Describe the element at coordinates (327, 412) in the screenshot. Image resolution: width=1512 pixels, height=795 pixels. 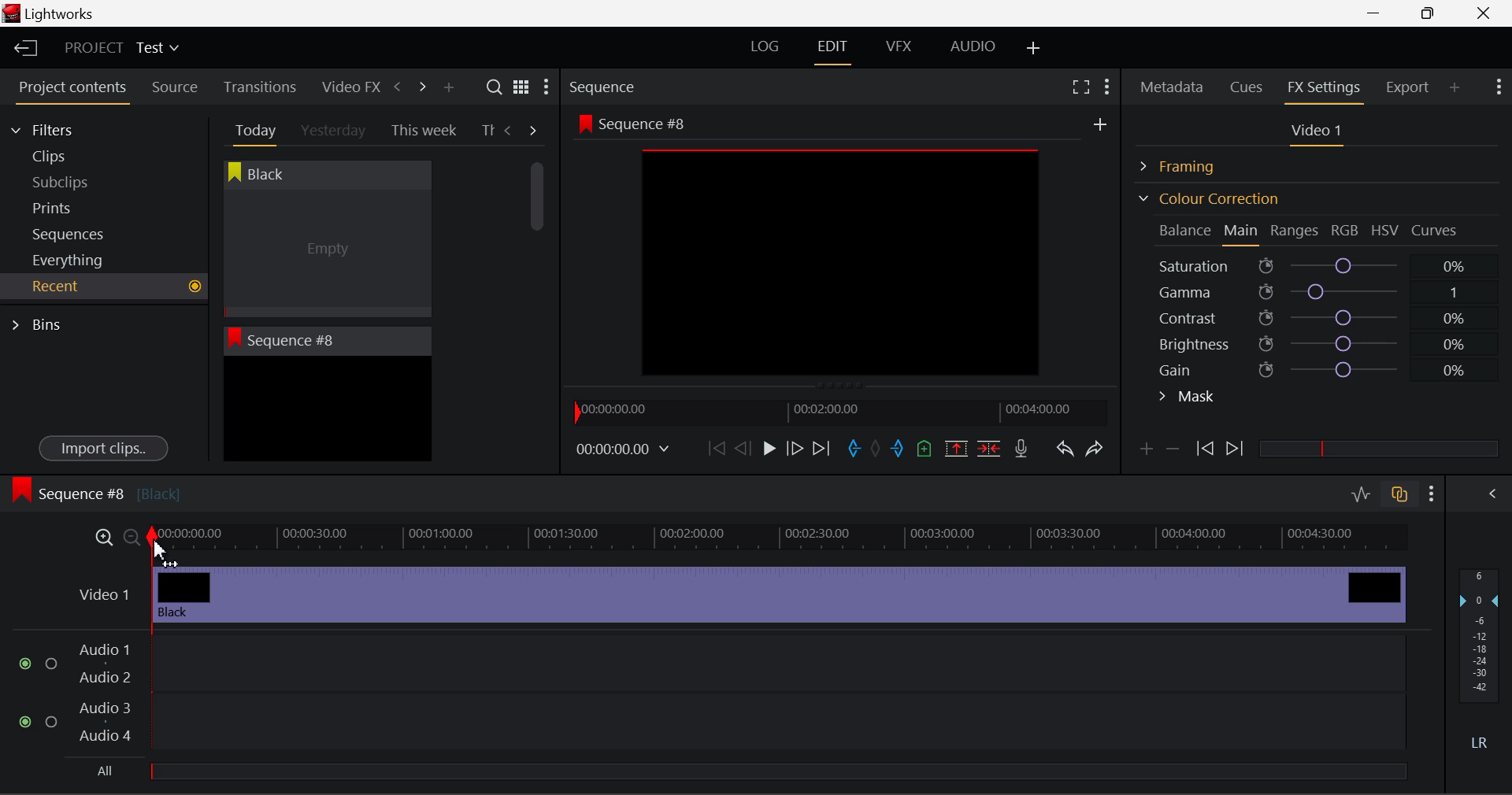
I see `Recent Clip` at that location.